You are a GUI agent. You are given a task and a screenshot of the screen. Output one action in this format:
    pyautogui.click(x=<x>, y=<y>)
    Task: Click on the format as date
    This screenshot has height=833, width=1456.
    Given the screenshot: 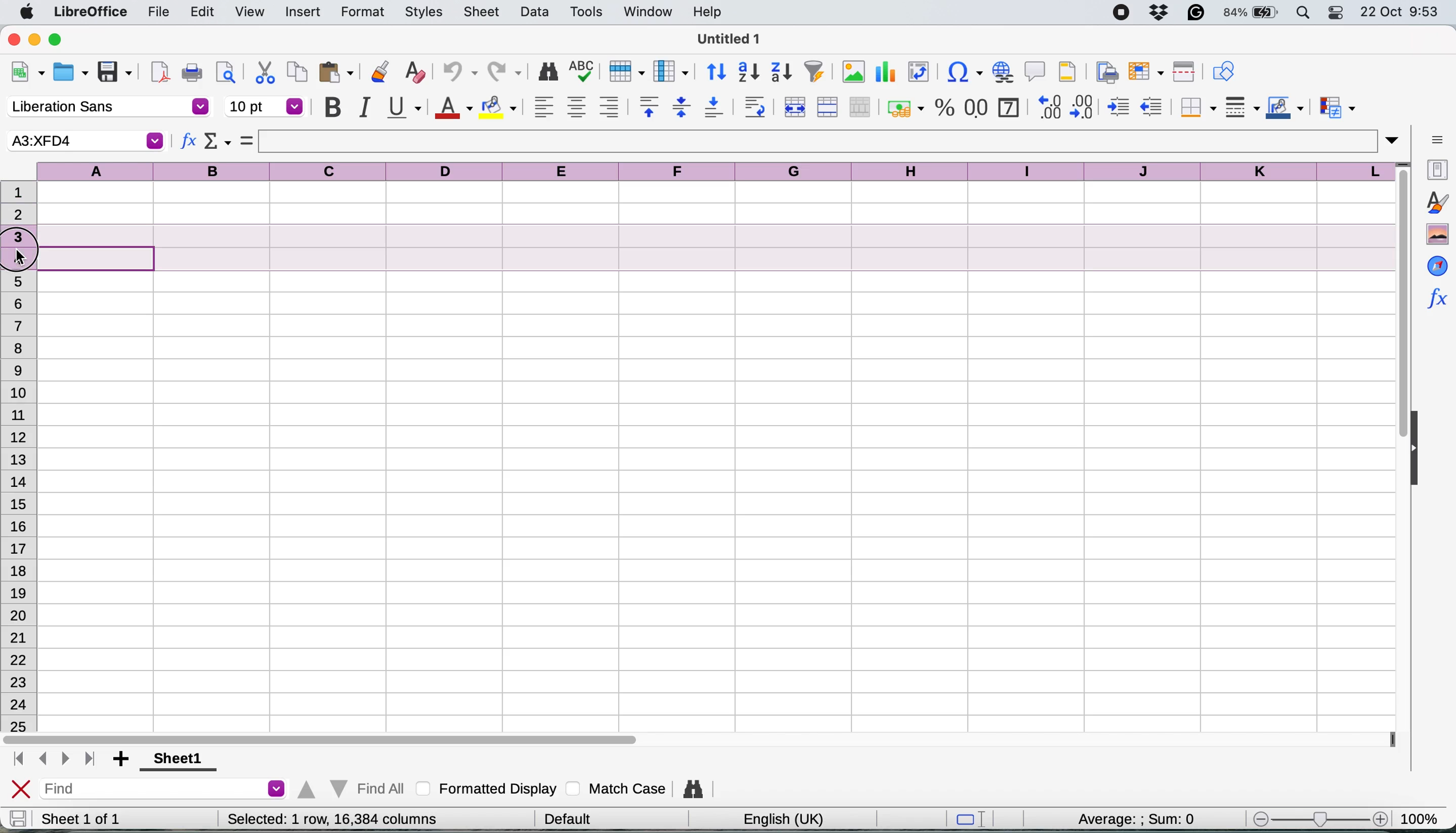 What is the action you would take?
    pyautogui.click(x=1008, y=106)
    